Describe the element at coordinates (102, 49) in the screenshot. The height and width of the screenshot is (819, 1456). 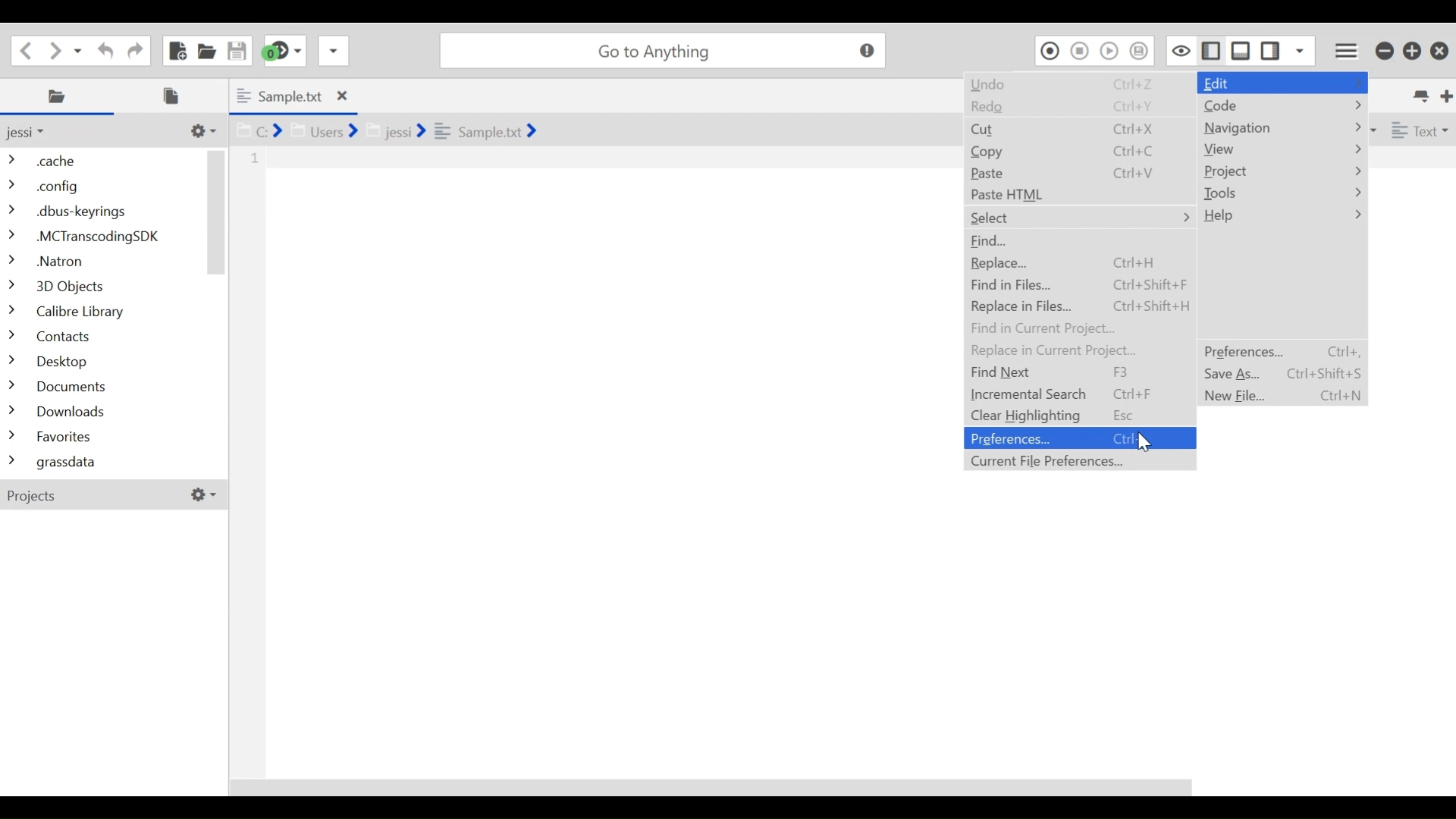
I see `undo` at that location.